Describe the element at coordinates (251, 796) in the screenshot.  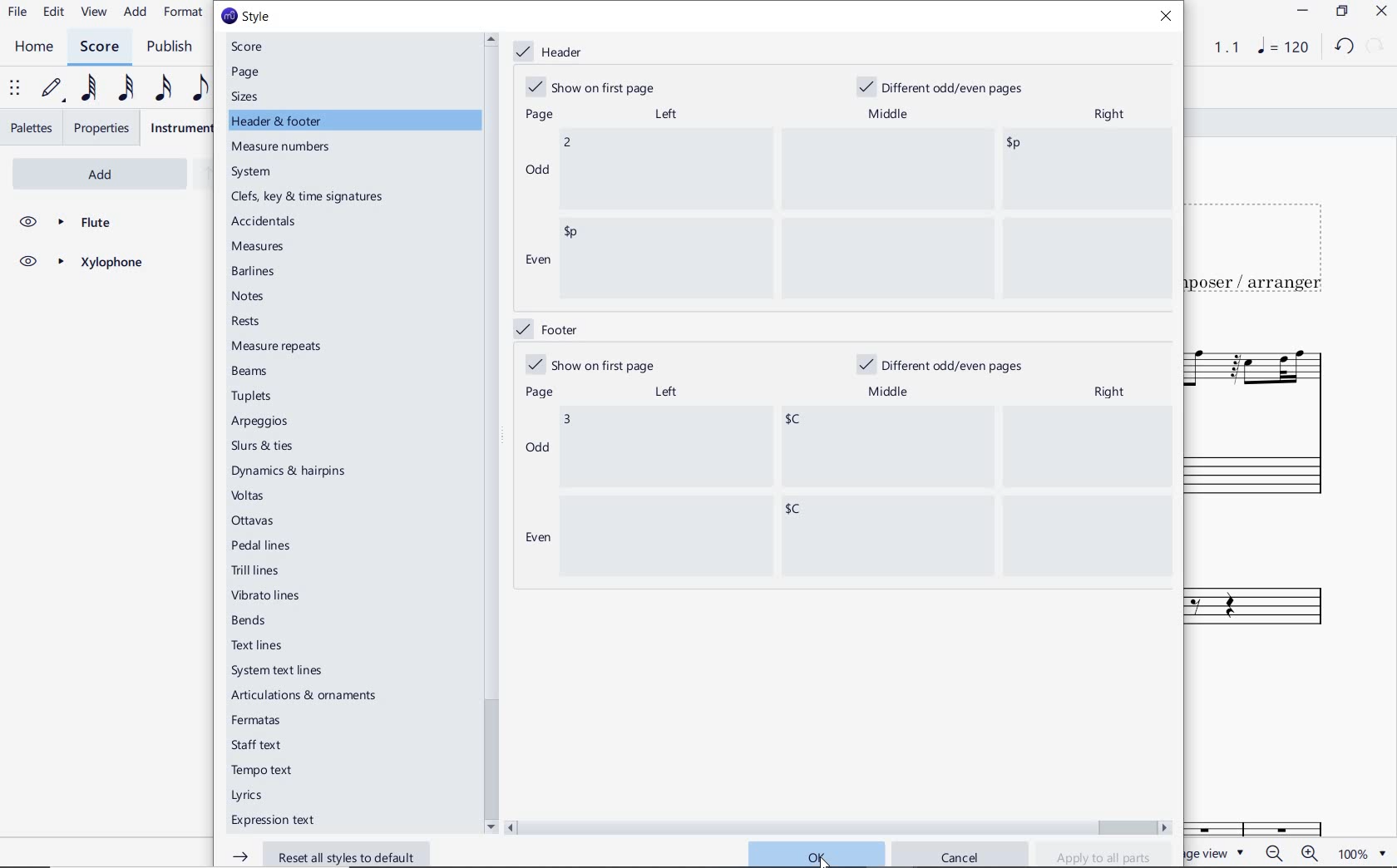
I see `Lyrics` at that location.